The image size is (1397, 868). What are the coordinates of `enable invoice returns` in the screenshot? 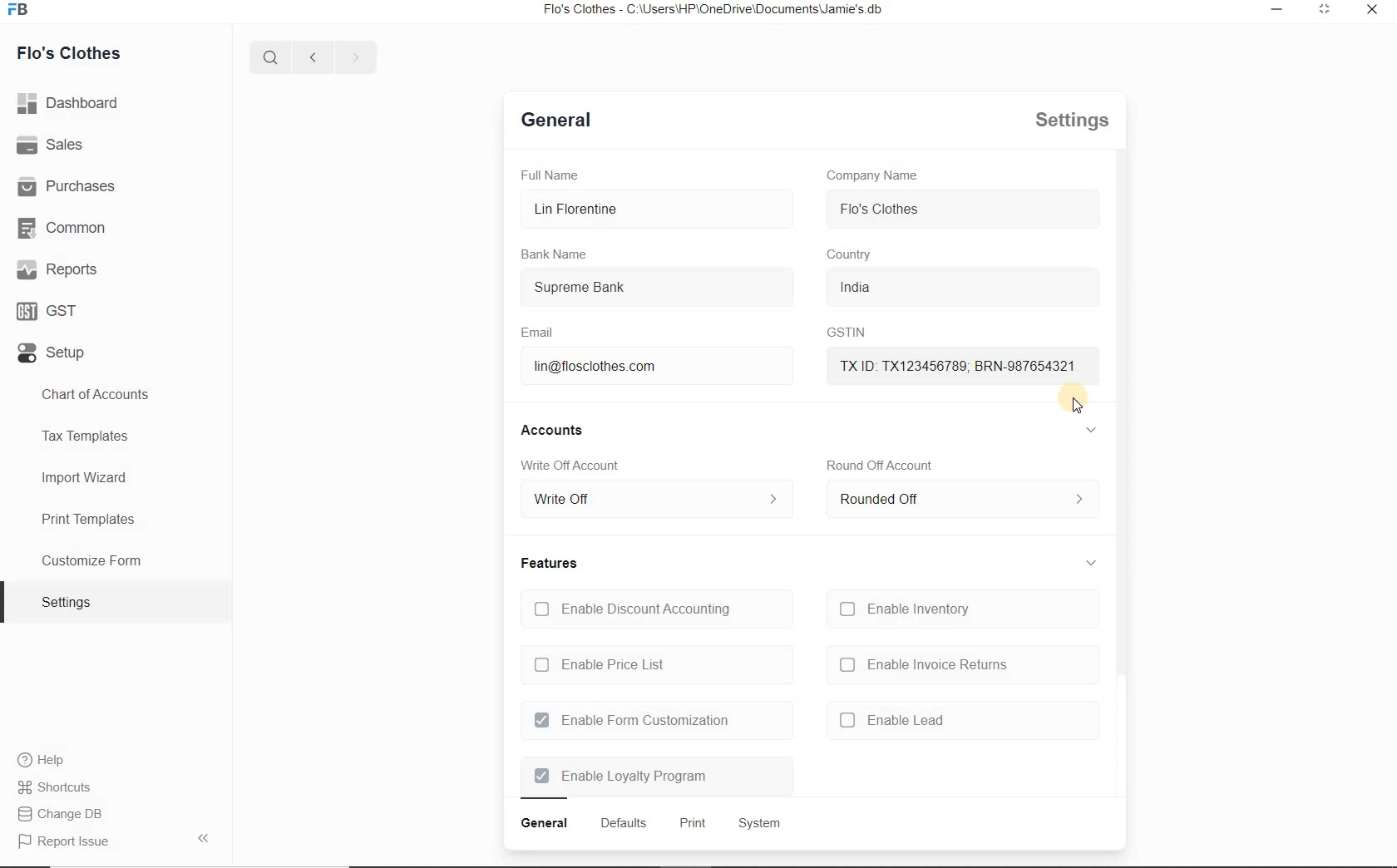 It's located at (923, 665).